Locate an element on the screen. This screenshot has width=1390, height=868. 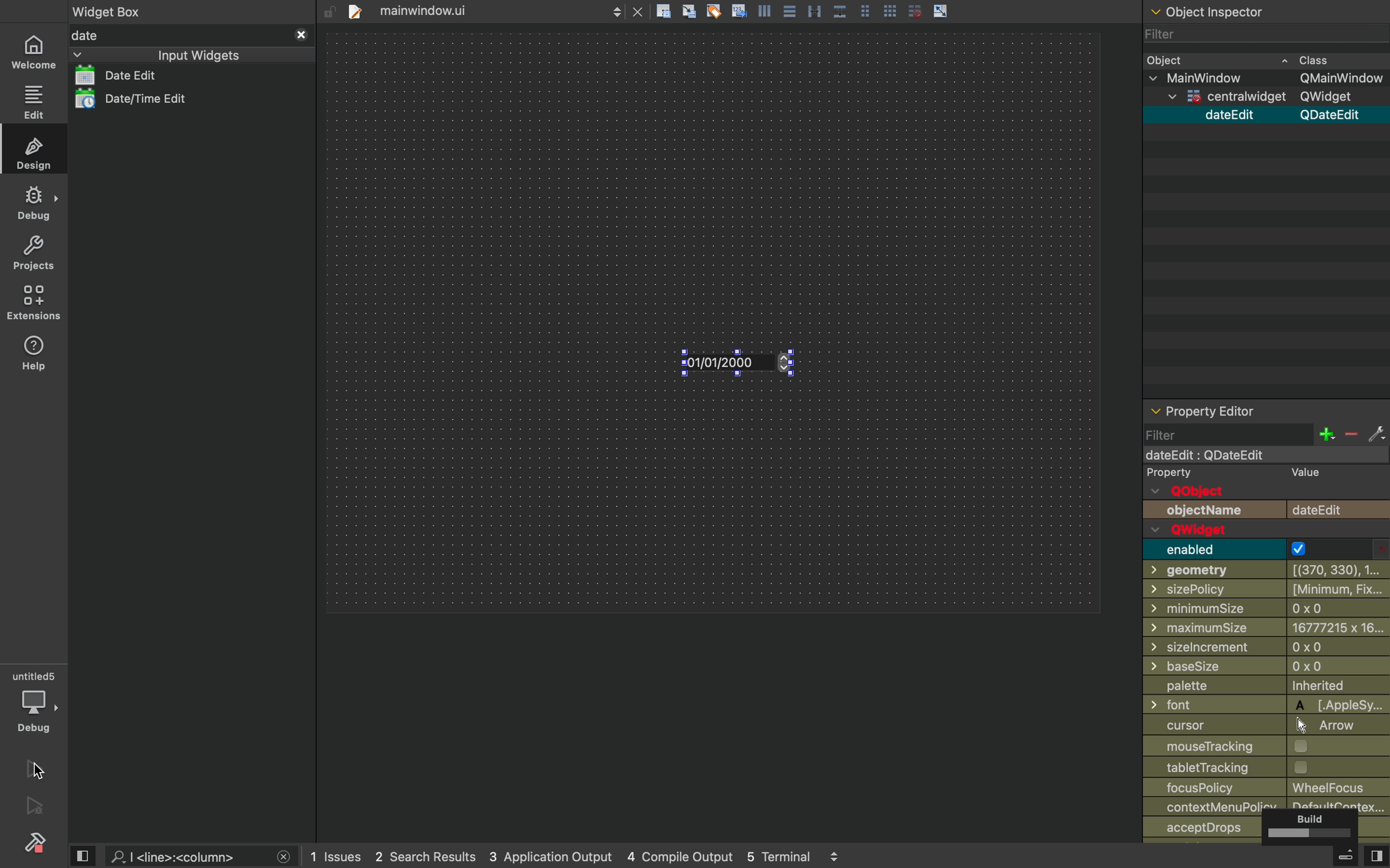
policy is located at coordinates (1268, 787).